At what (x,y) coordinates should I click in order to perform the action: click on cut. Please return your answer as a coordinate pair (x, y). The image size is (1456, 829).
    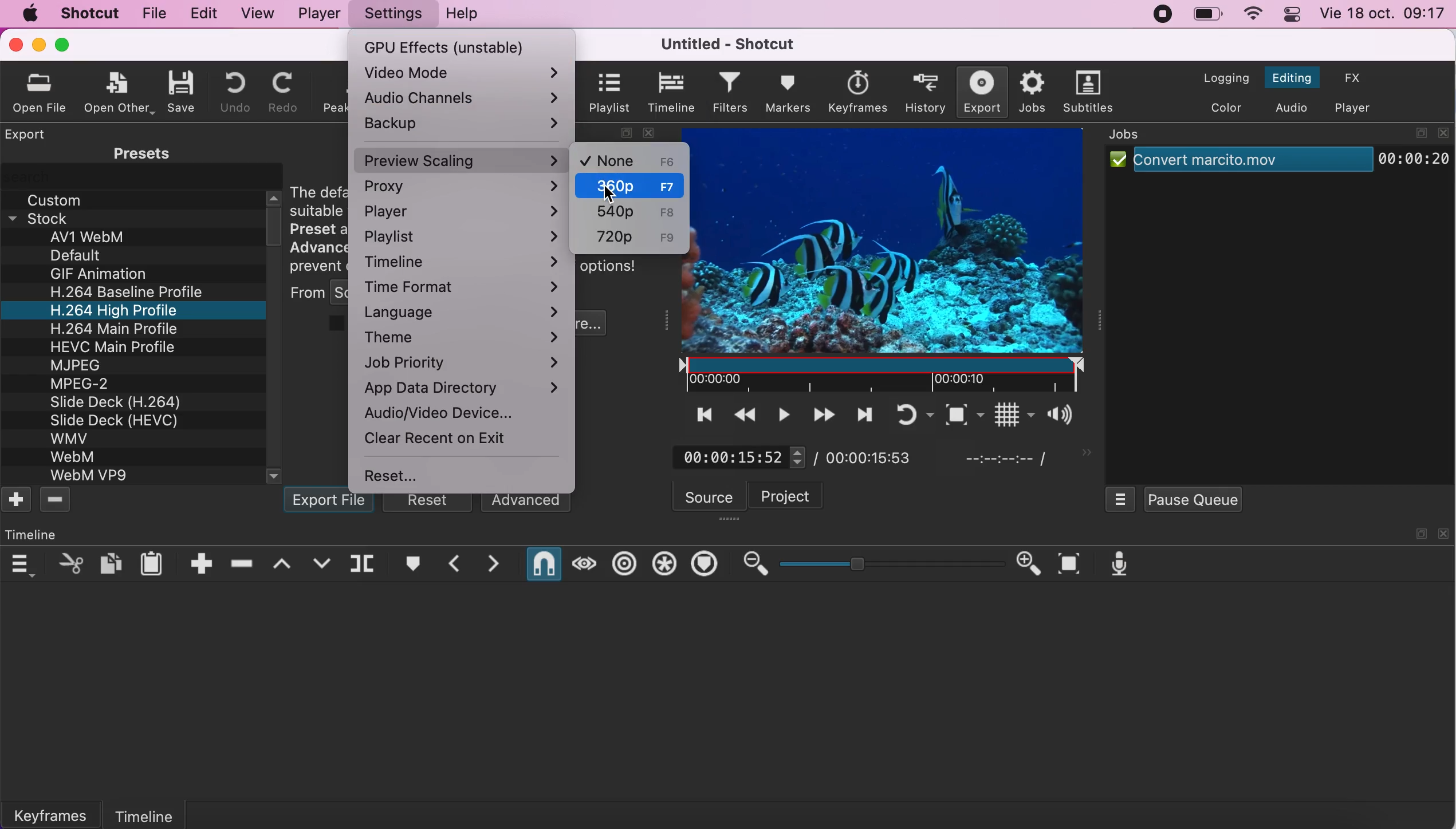
    Looking at the image, I should click on (68, 563).